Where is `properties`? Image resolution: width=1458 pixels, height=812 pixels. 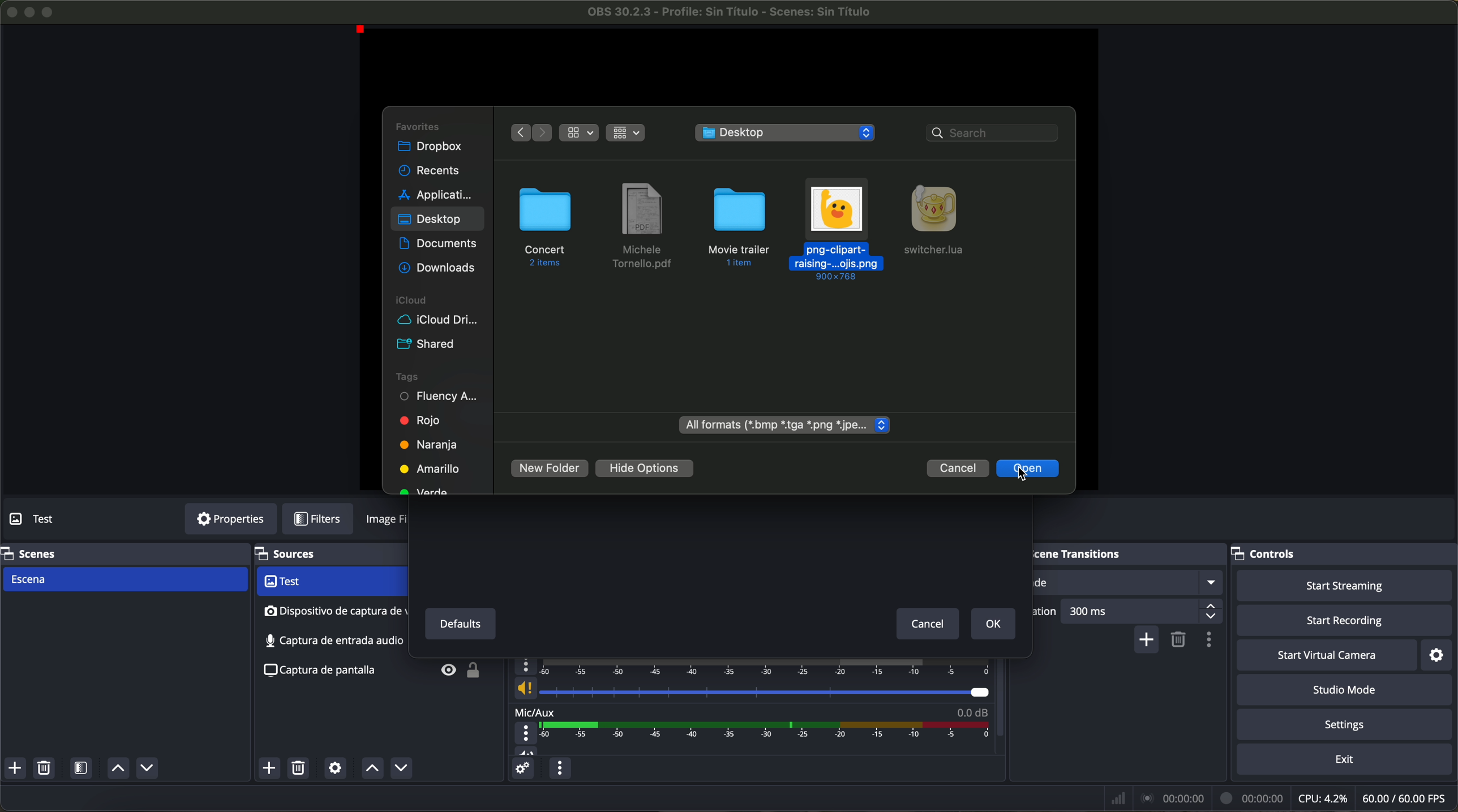 properties is located at coordinates (230, 519).